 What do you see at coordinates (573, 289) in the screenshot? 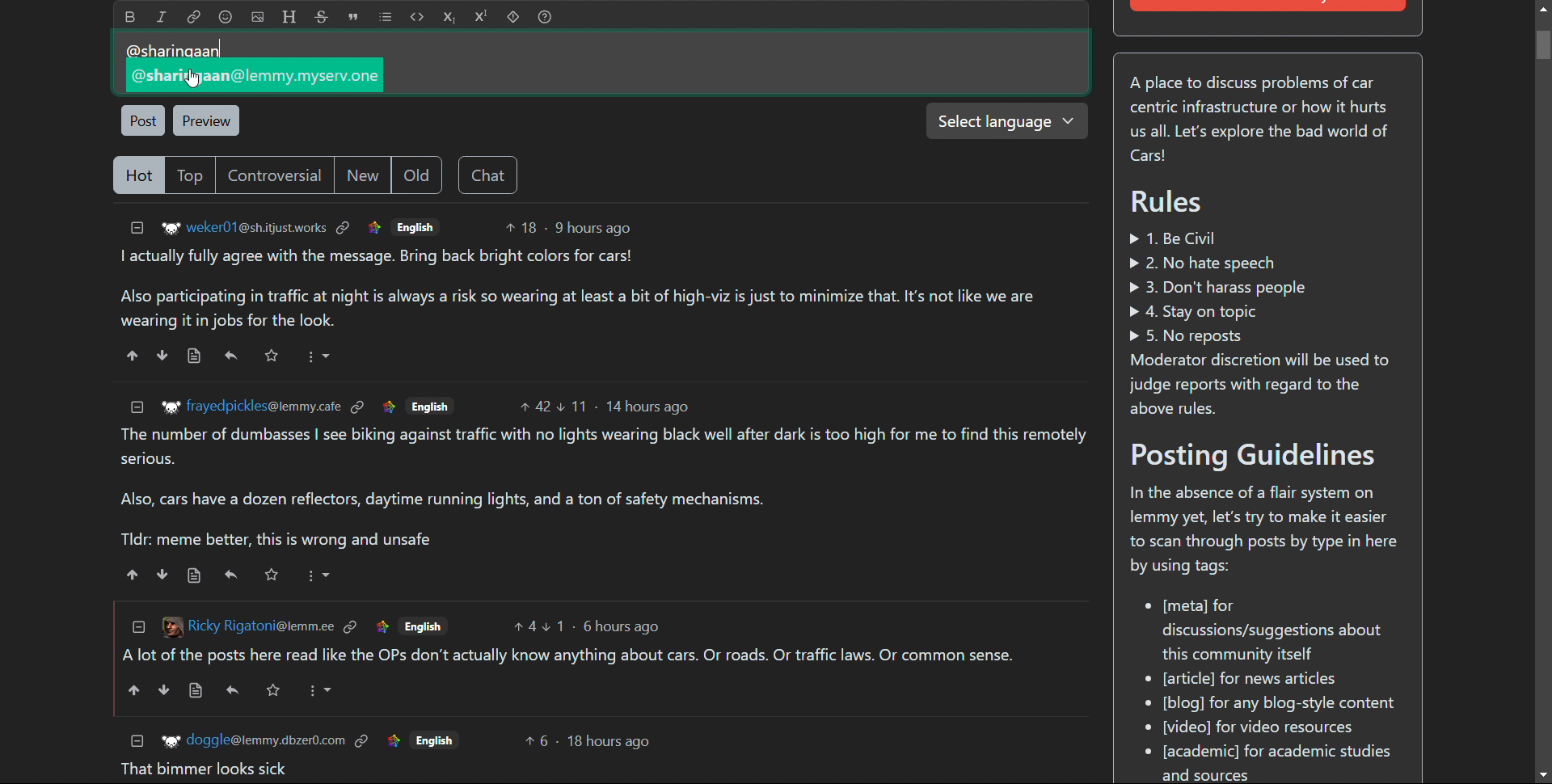
I see `I actually fully agree with the message. Bring back bright colors for cars!
Also participating in traffic at night is always a risk so wearing at least a bit of high-viz is just to minimize that. It's not like we are
wearing it in jobs for the look.` at bounding box center [573, 289].